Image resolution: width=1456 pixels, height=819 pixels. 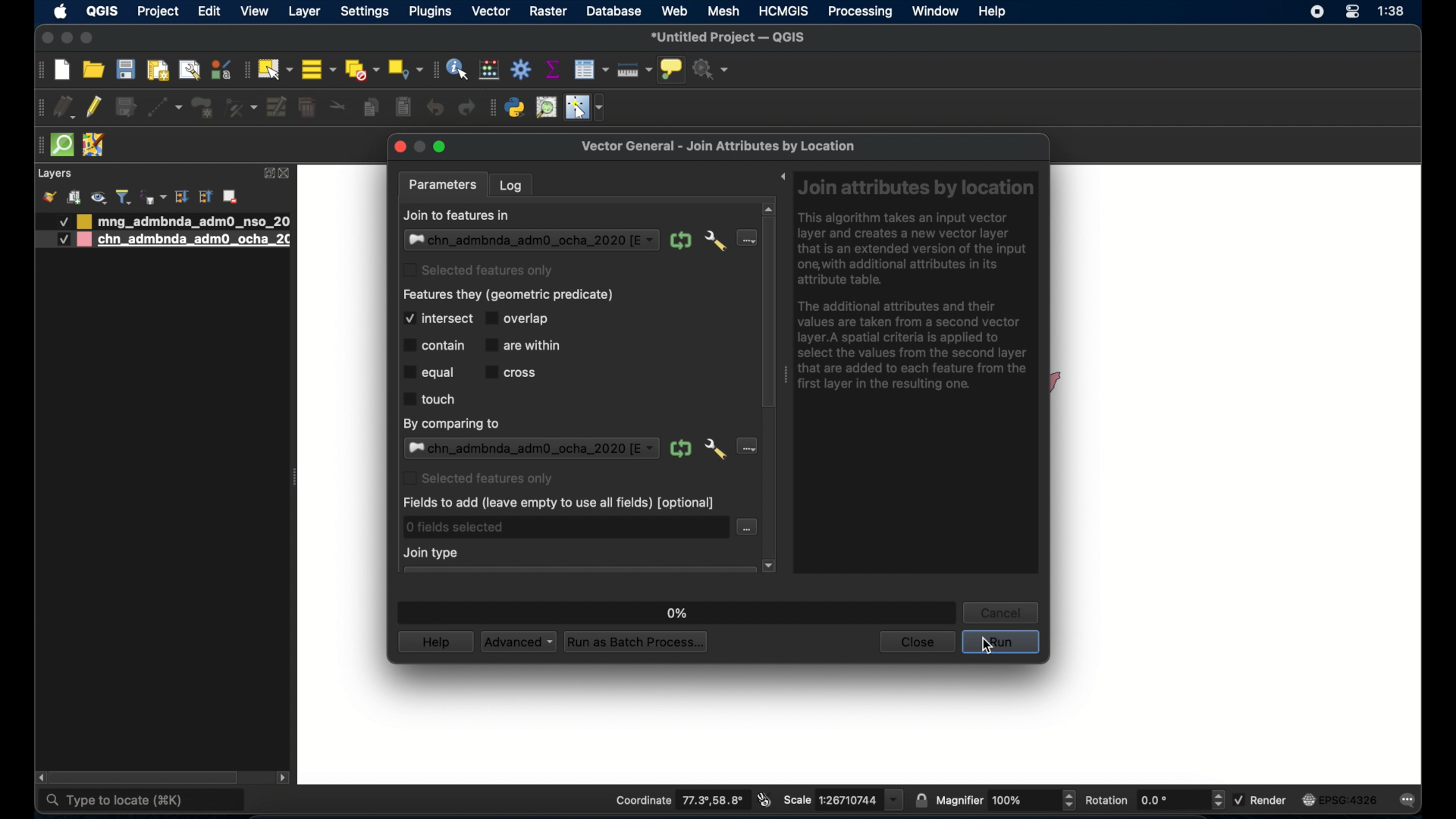 What do you see at coordinates (843, 799) in the screenshot?
I see `scale` at bounding box center [843, 799].